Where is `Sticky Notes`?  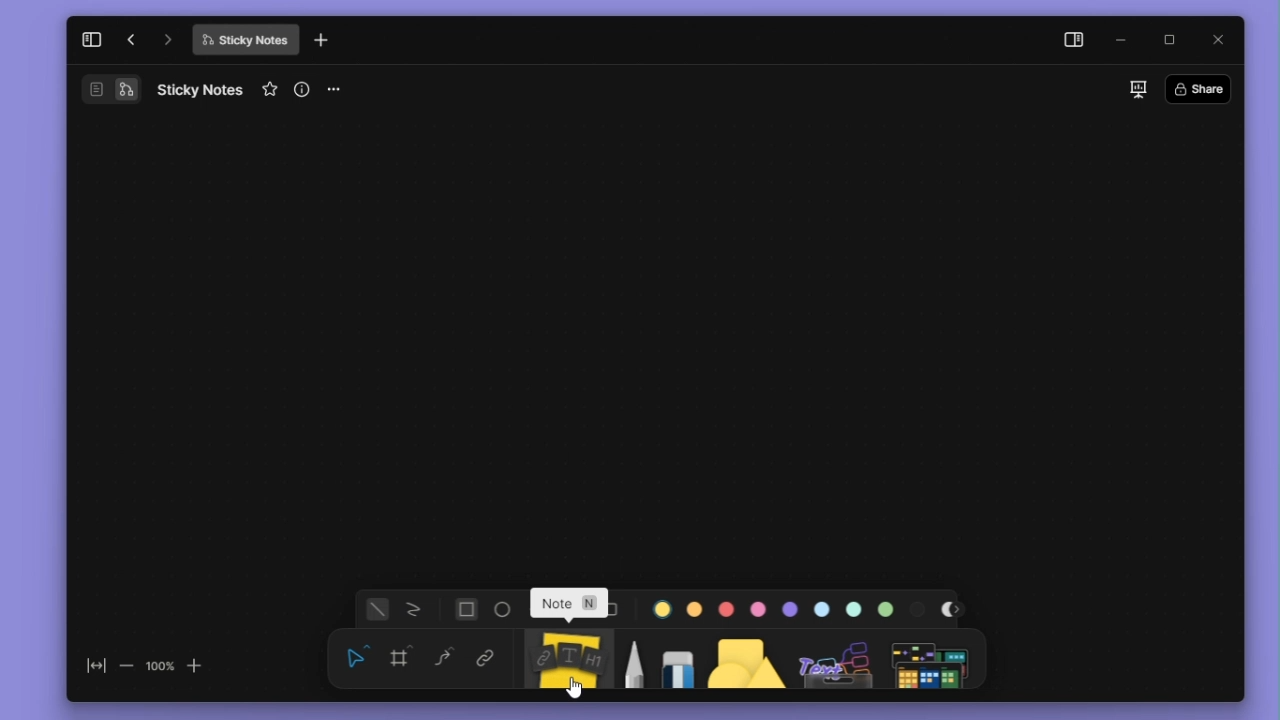
Sticky Notes is located at coordinates (204, 89).